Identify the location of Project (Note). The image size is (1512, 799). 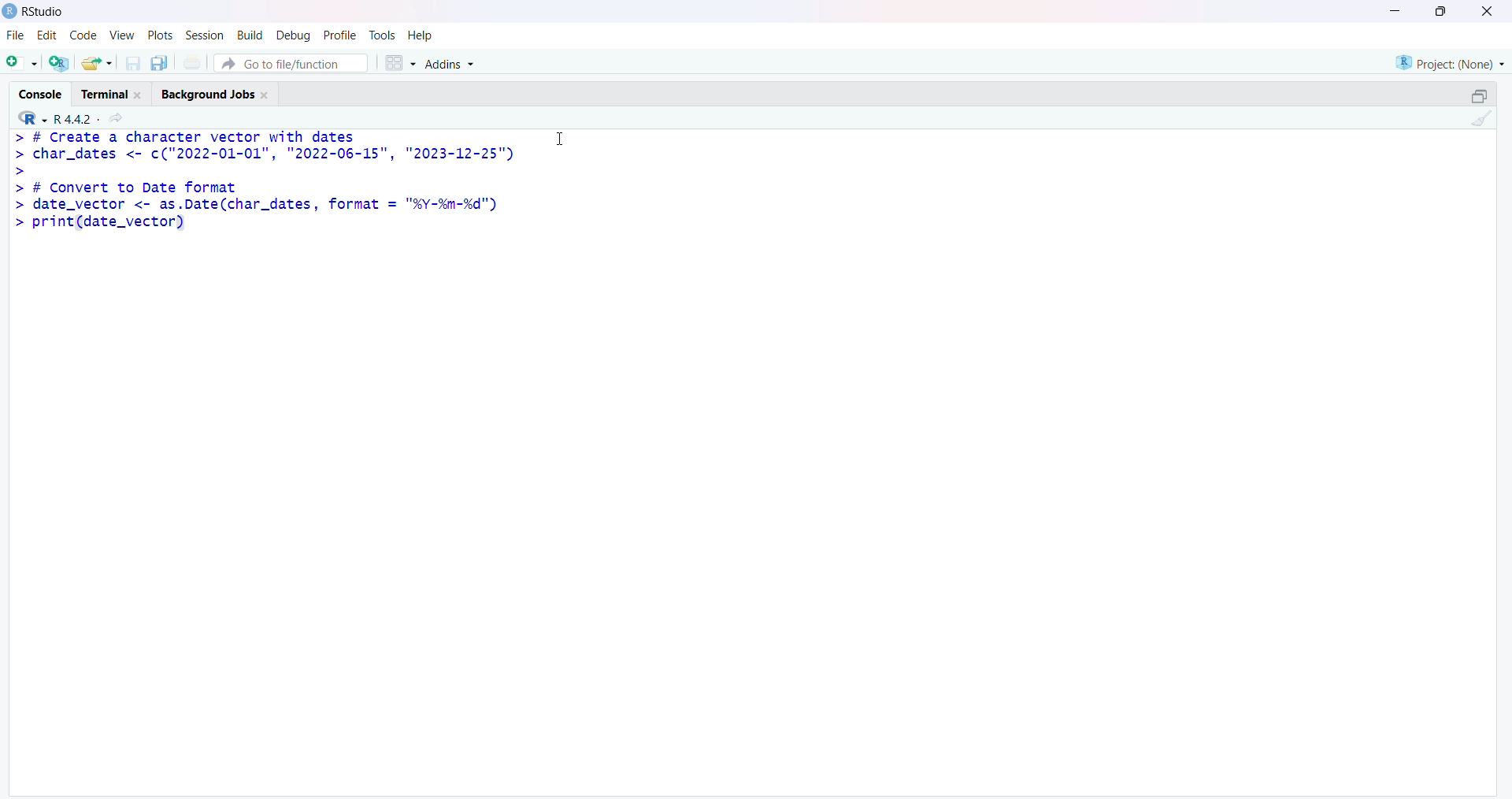
(1447, 61).